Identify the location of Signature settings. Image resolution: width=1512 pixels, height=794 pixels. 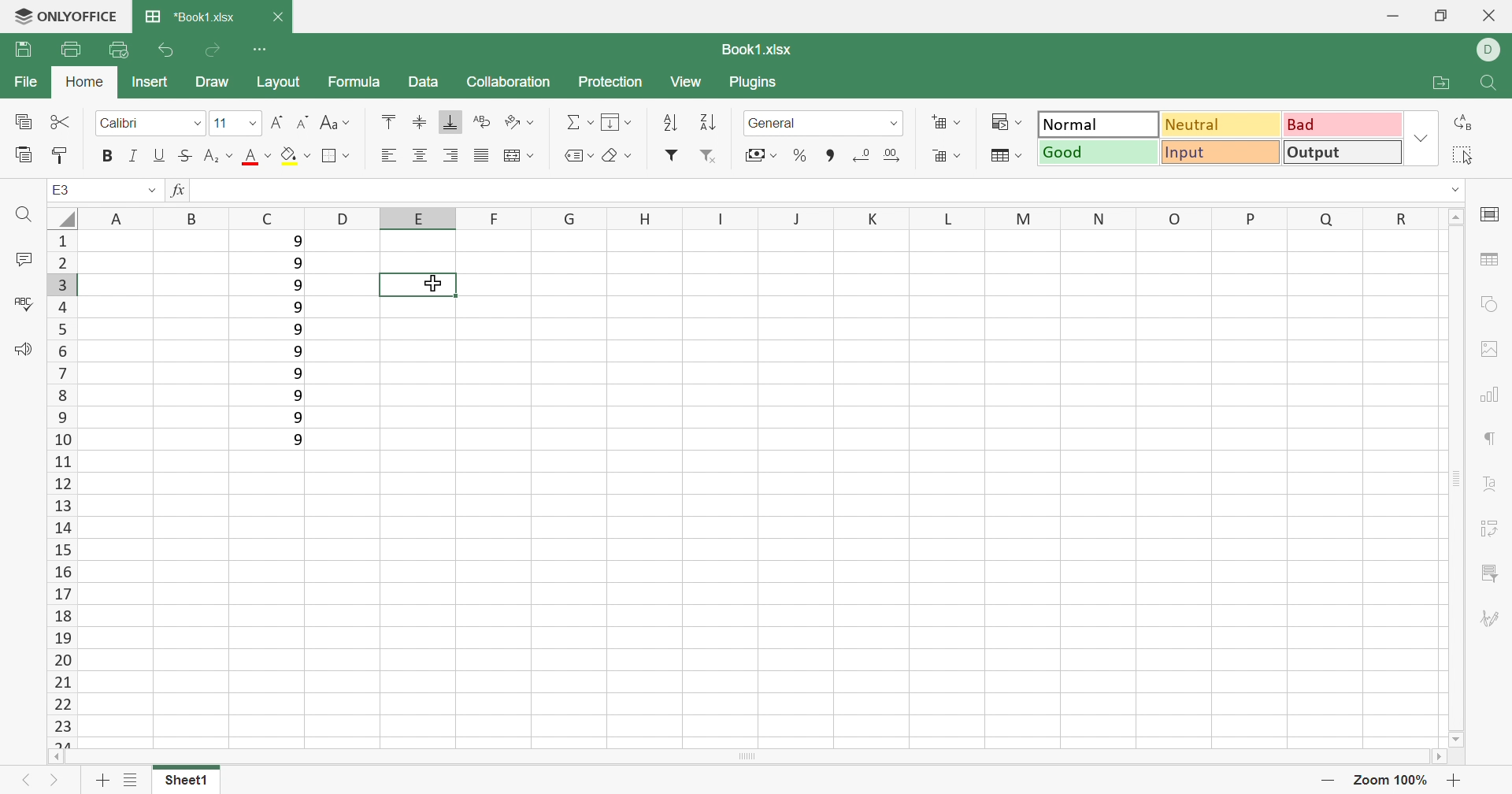
(1492, 619).